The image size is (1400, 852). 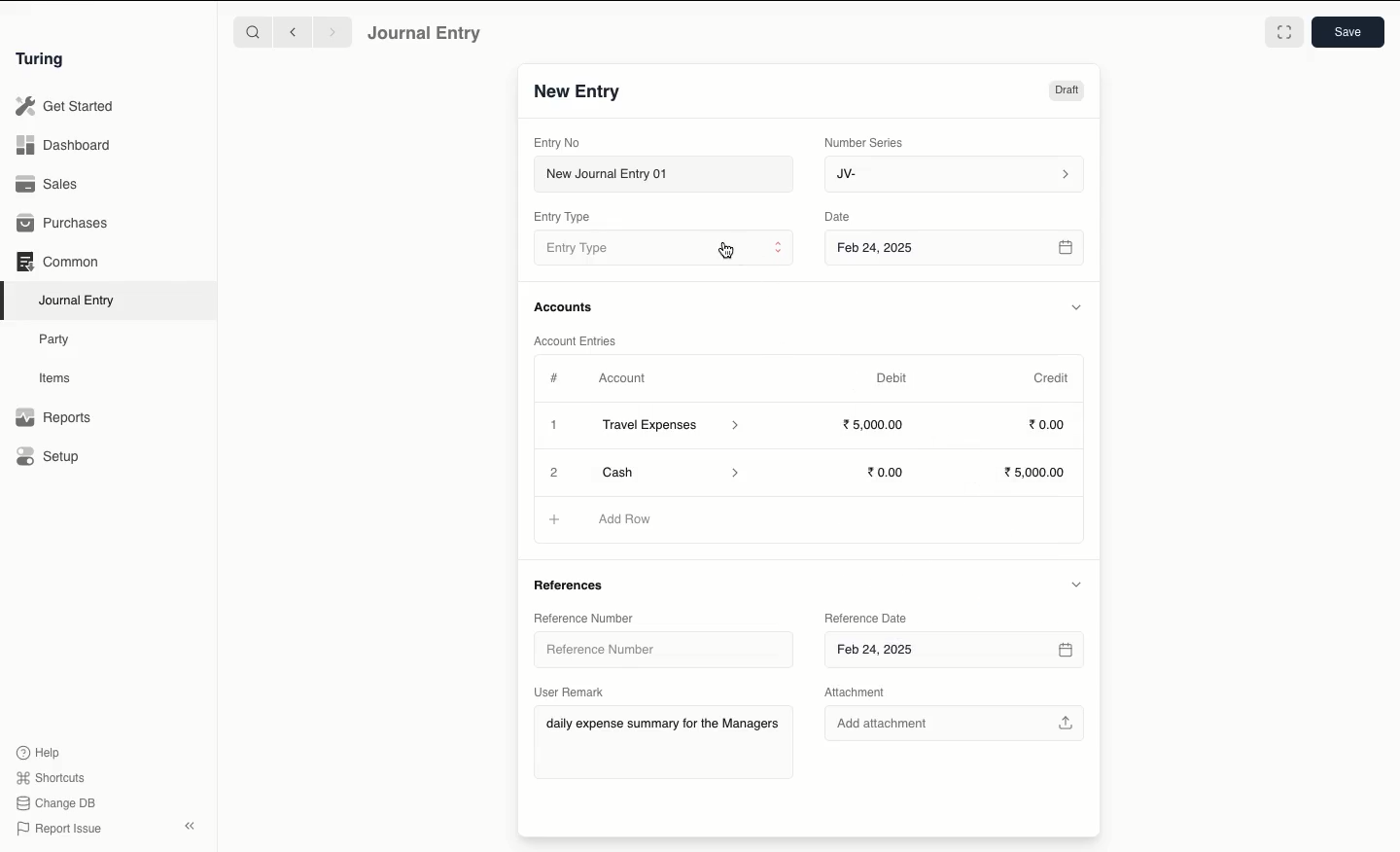 What do you see at coordinates (556, 377) in the screenshot?
I see `Hashtag` at bounding box center [556, 377].